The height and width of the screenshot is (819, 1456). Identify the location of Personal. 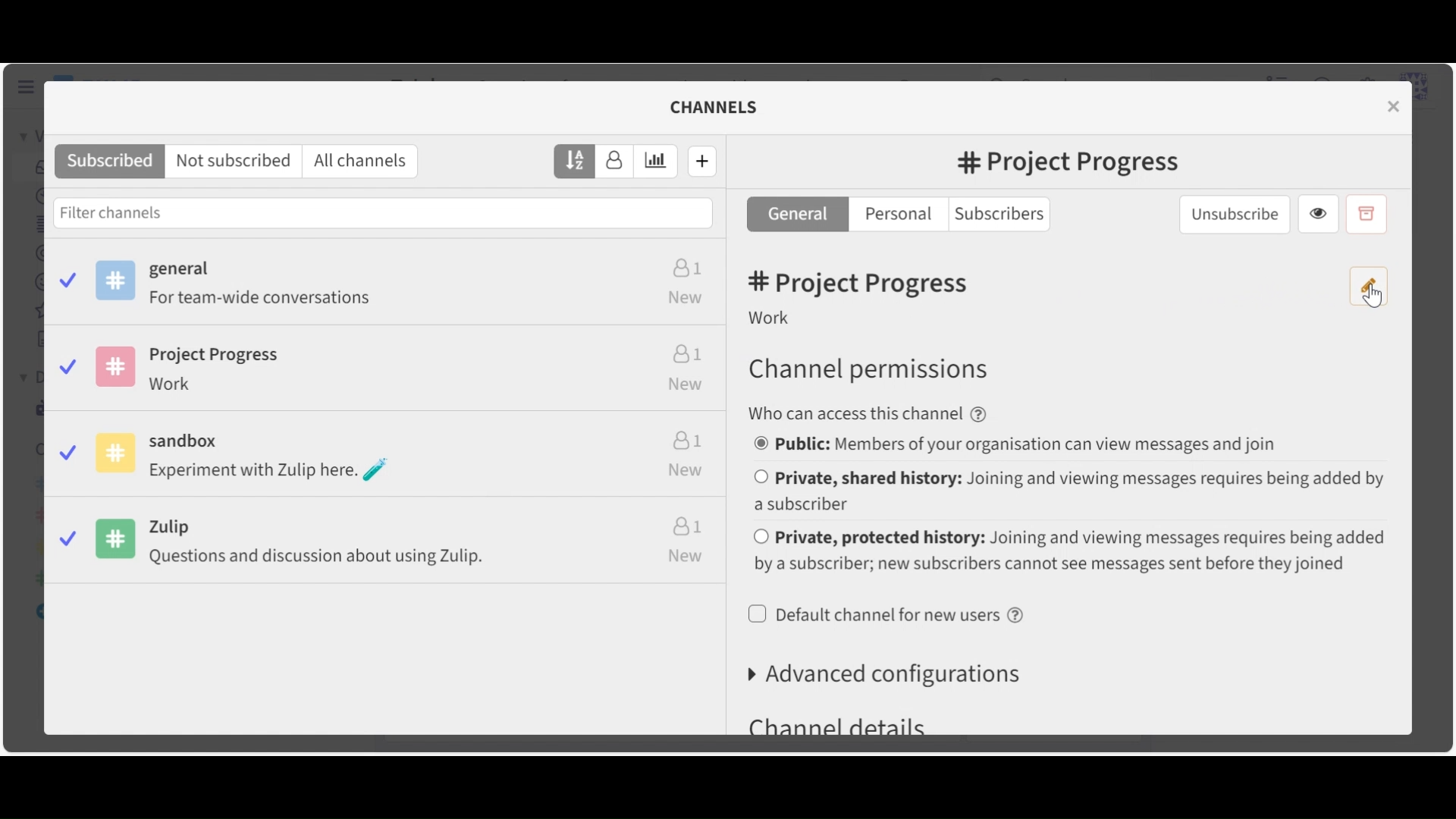
(894, 215).